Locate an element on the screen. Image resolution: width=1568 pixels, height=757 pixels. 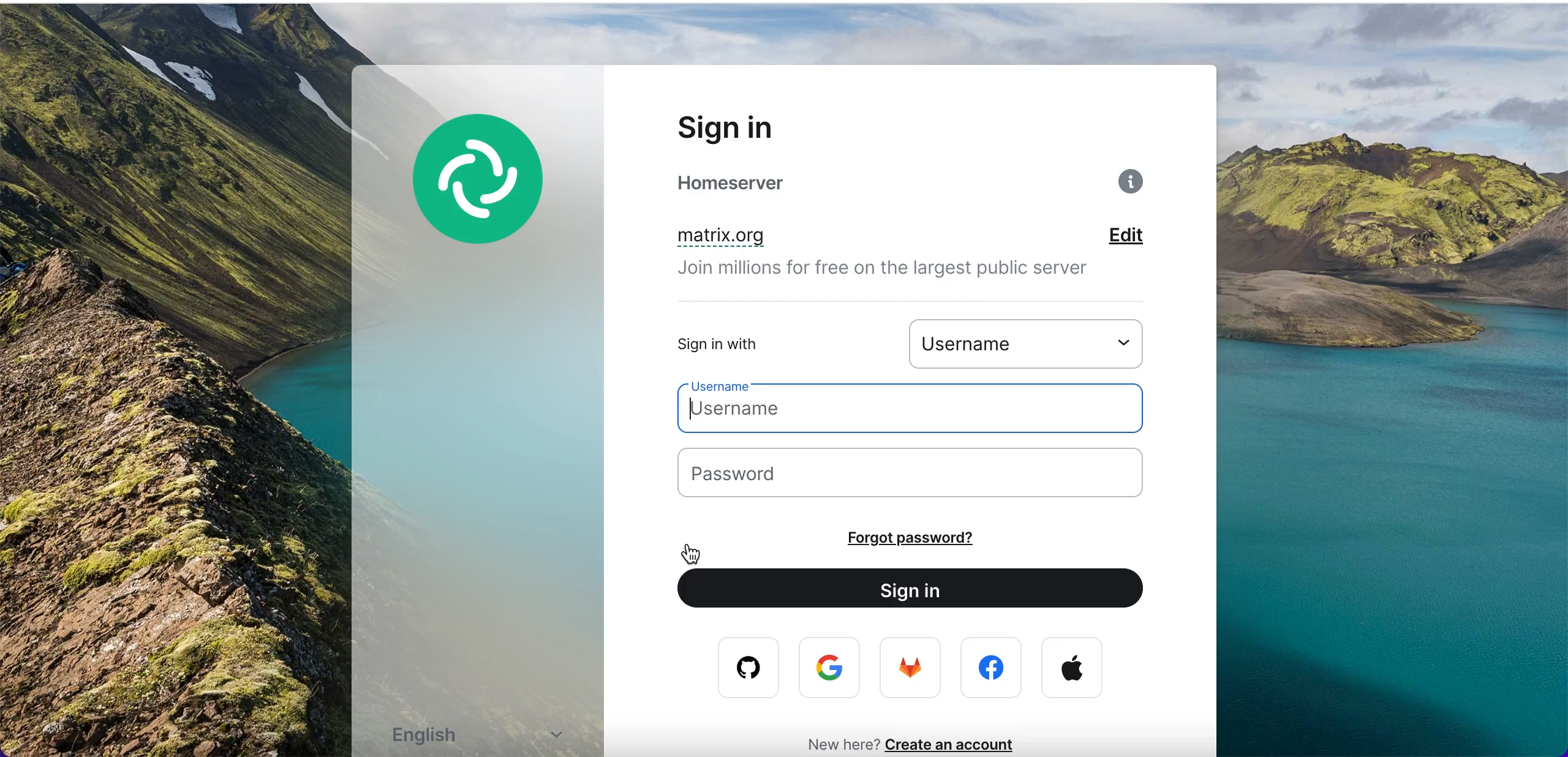
element logo is located at coordinates (493, 197).